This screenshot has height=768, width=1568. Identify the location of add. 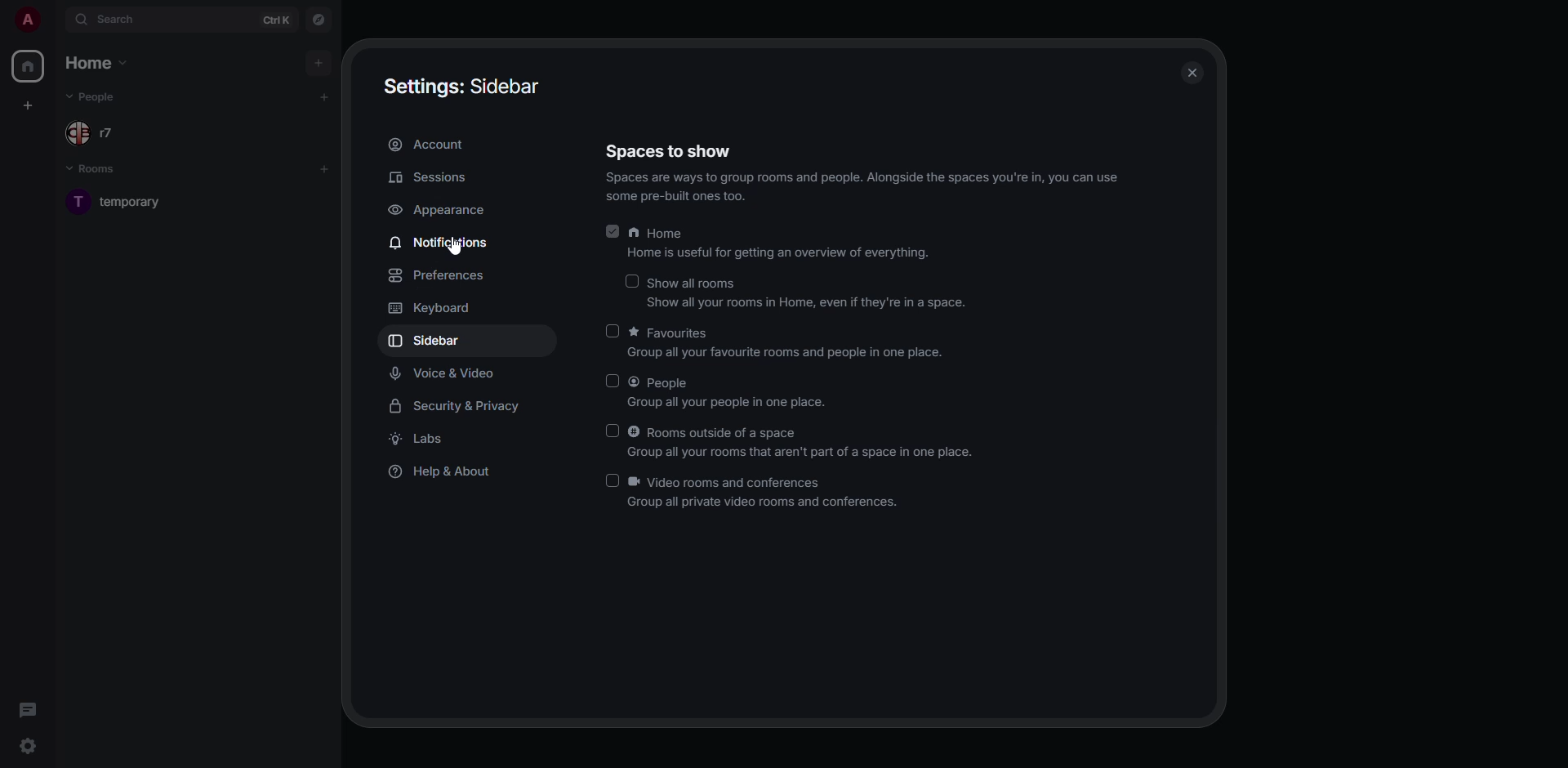
(320, 60).